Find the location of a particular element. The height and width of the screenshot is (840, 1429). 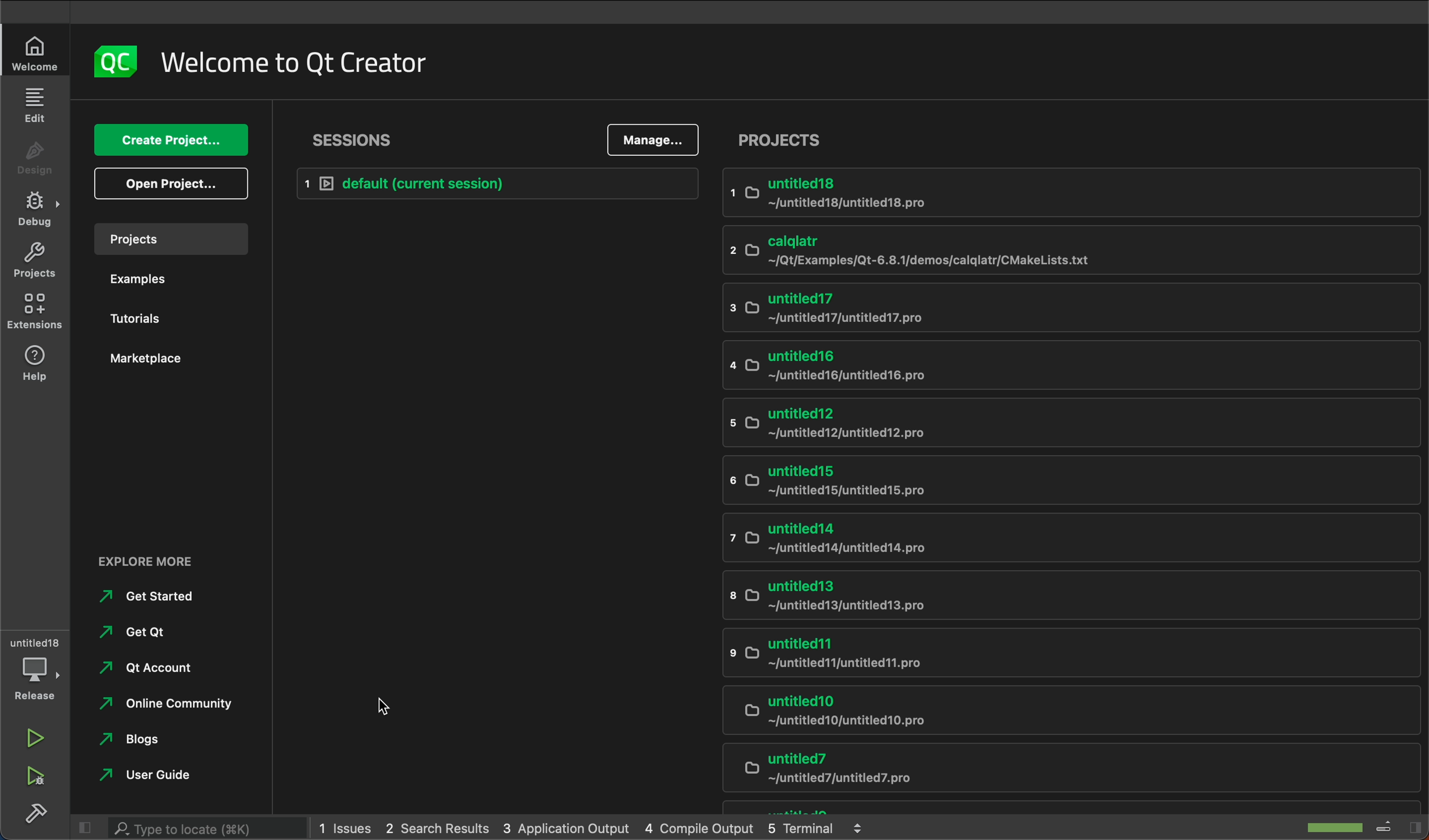

marketplace is located at coordinates (163, 368).